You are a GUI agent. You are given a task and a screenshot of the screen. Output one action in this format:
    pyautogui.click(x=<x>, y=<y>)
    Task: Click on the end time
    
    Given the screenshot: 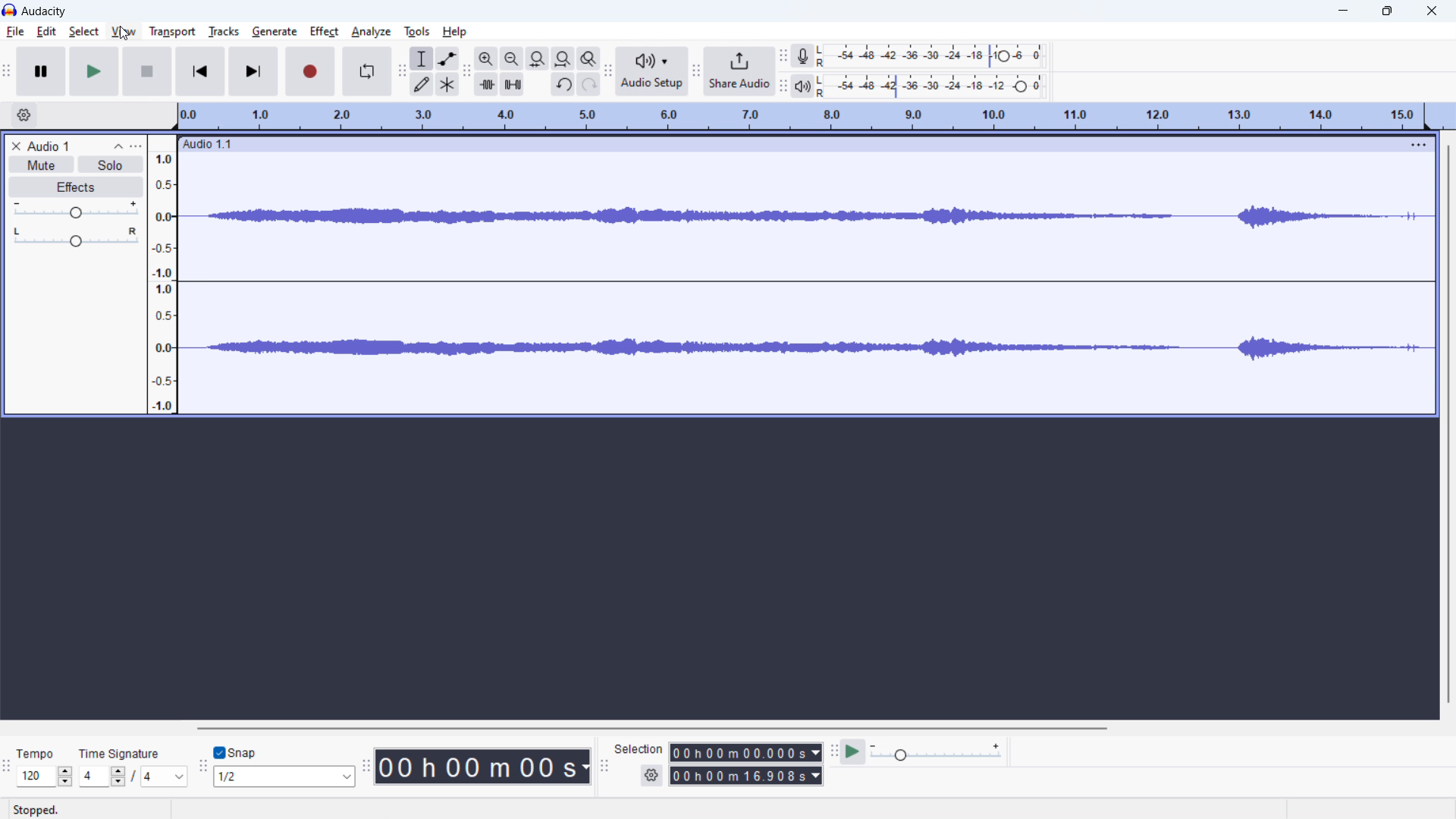 What is the action you would take?
    pyautogui.click(x=745, y=776)
    